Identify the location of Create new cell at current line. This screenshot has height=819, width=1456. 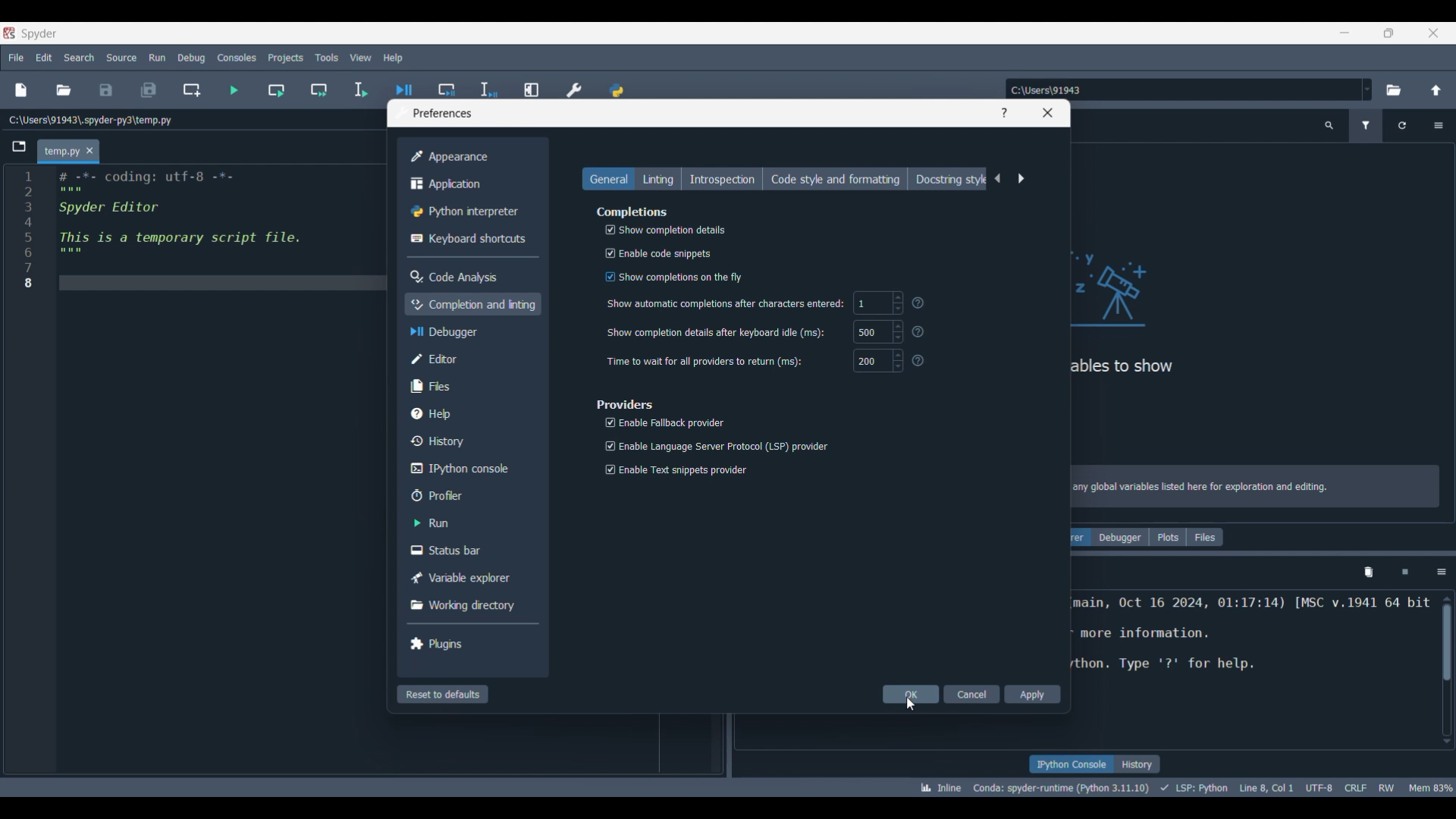
(191, 90).